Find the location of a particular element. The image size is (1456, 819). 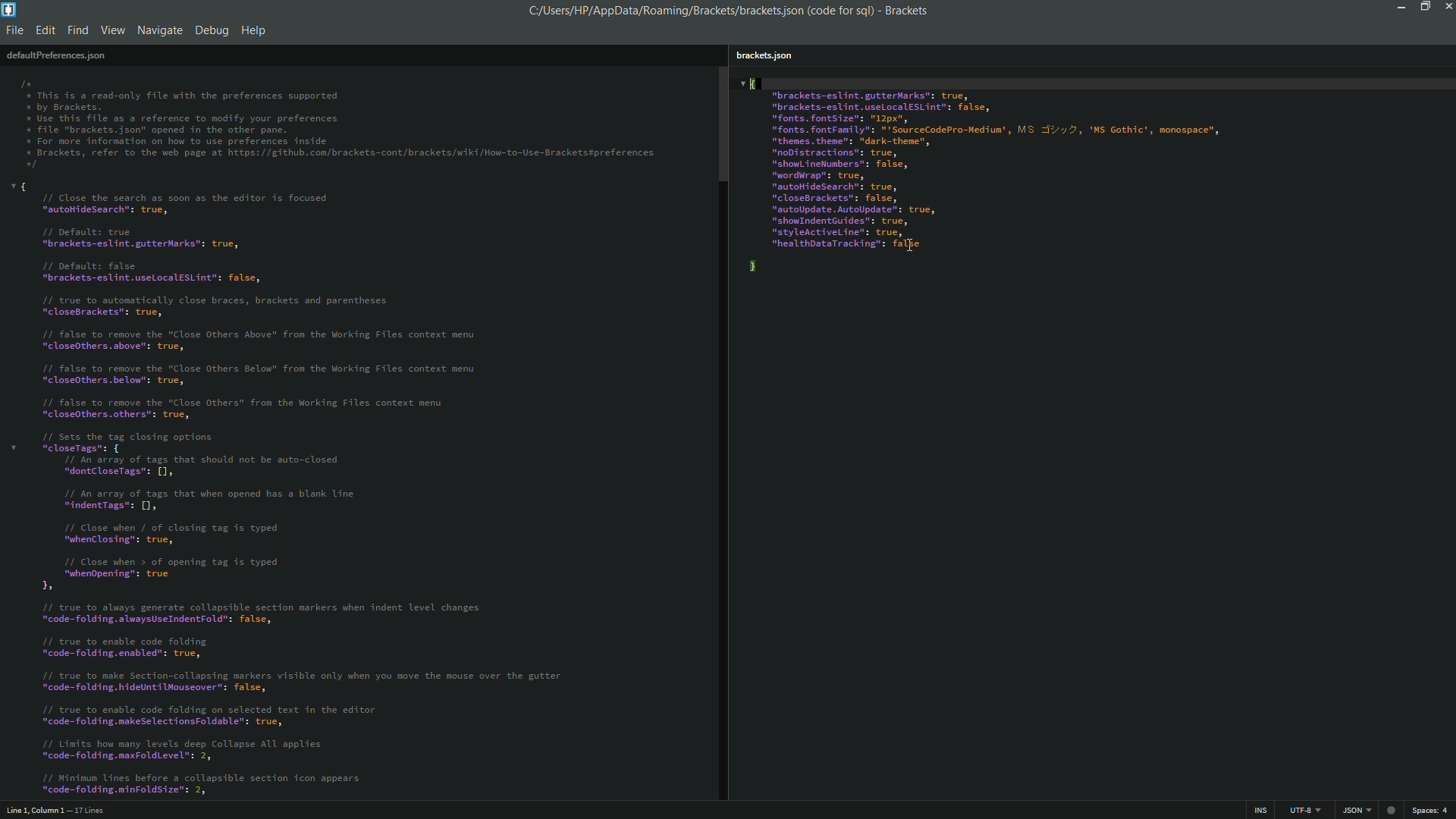

debug menu is located at coordinates (211, 30).